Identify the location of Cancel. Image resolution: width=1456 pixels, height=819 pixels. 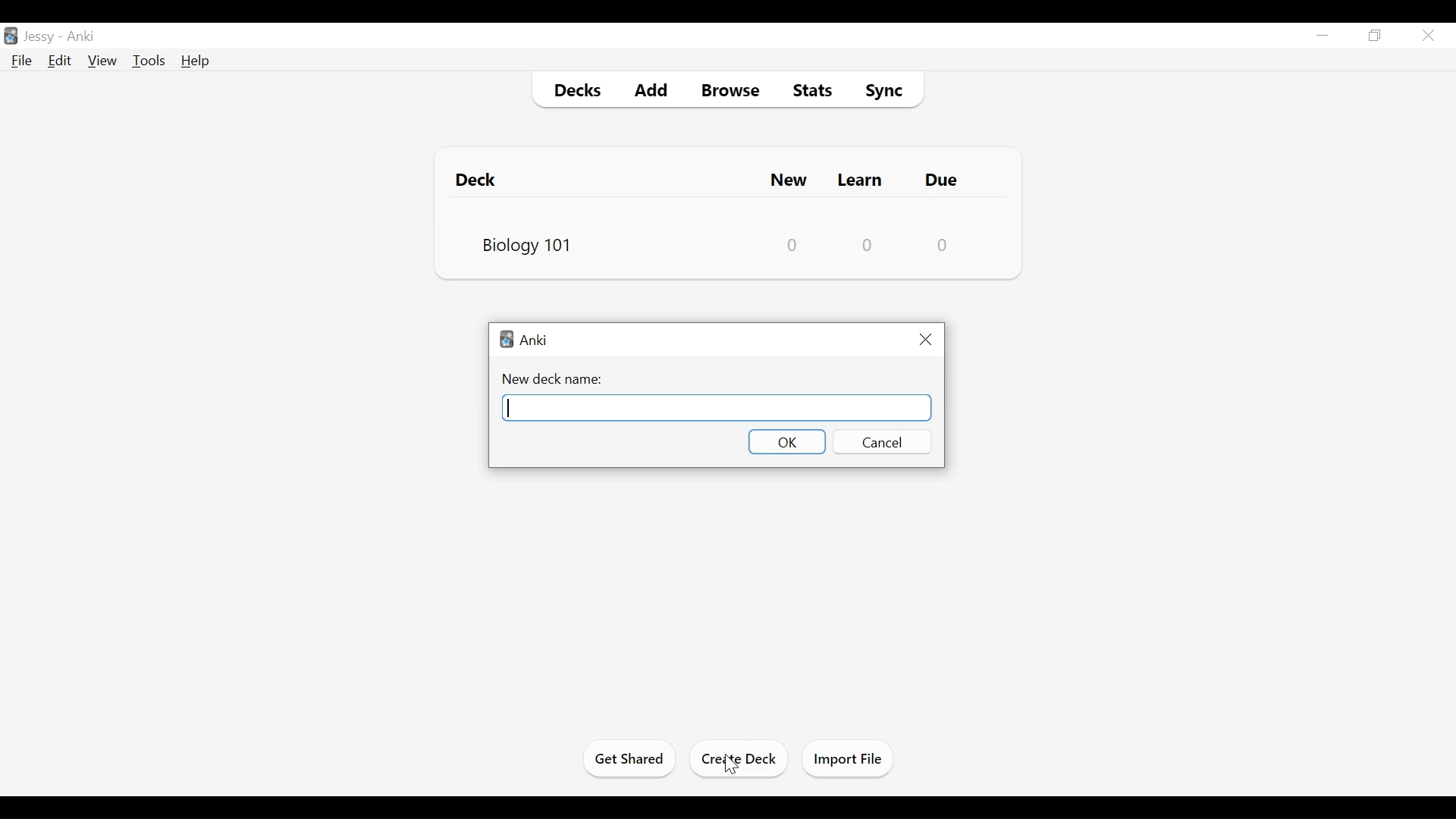
(880, 442).